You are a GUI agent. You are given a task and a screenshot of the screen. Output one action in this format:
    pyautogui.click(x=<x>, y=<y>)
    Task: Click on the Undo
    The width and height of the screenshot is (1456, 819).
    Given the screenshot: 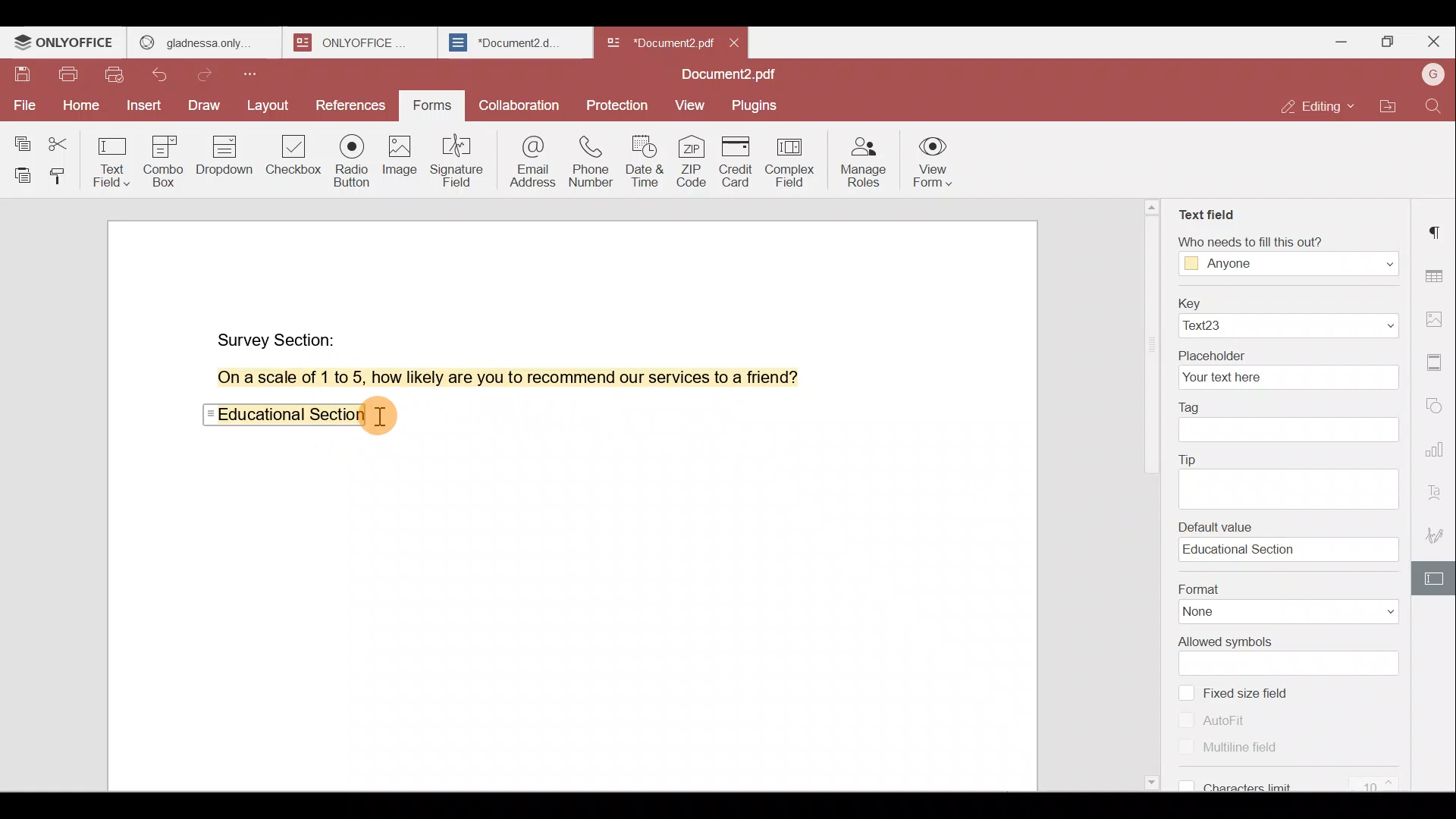 What is the action you would take?
    pyautogui.click(x=168, y=77)
    